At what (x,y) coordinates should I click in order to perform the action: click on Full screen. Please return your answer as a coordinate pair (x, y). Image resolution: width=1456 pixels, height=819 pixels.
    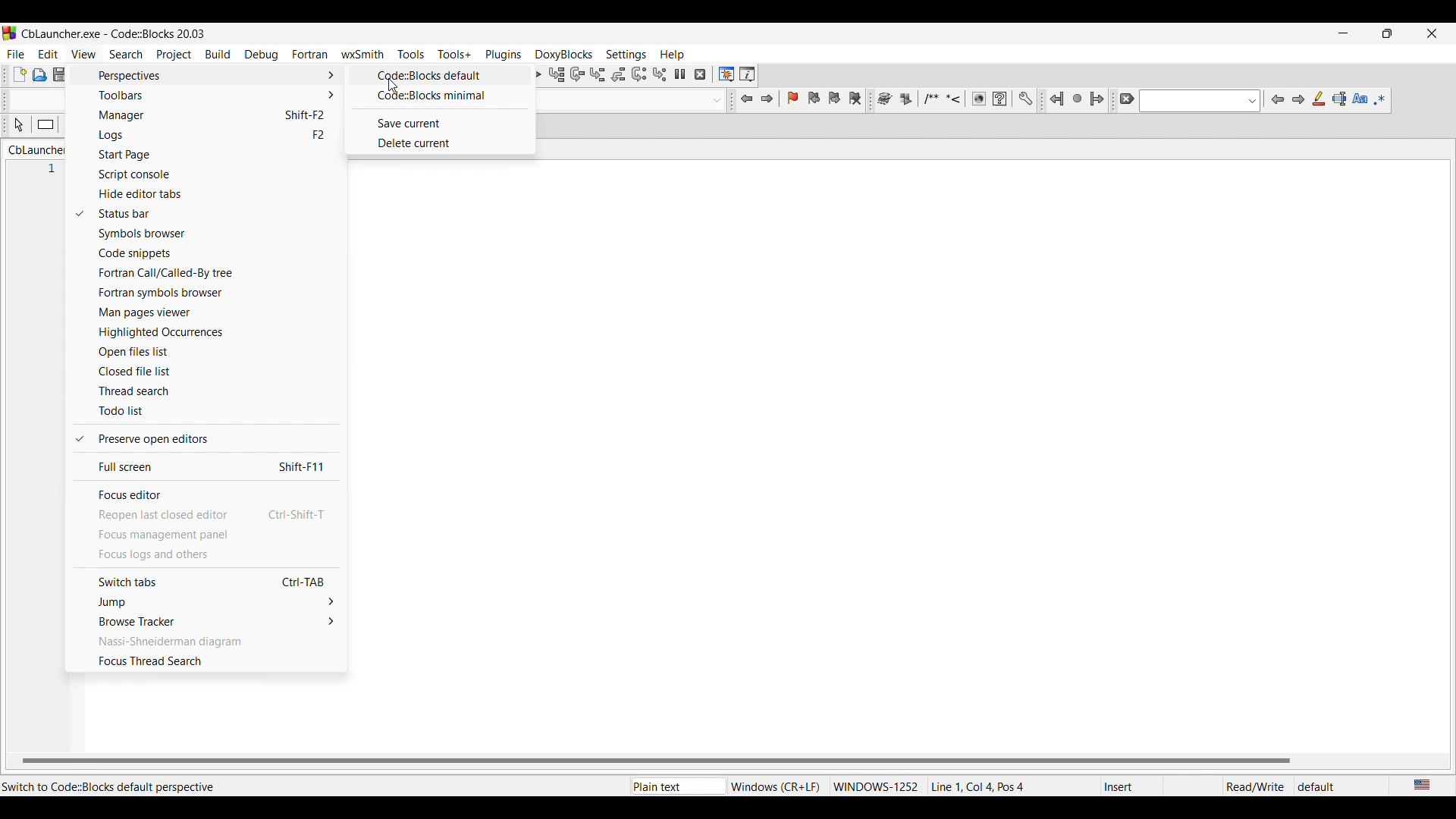
    Looking at the image, I should click on (212, 467).